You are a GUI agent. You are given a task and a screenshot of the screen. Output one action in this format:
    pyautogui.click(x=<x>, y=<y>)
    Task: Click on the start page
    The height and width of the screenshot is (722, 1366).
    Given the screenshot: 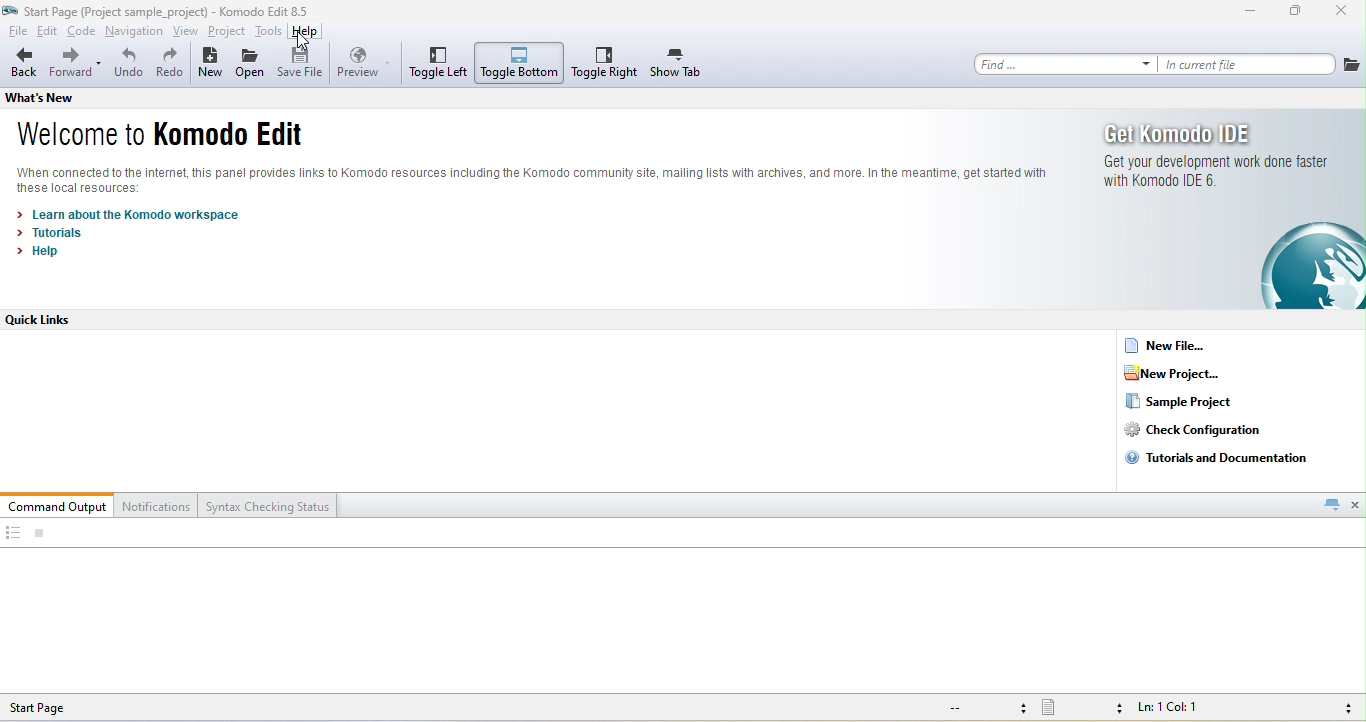 What is the action you would take?
    pyautogui.click(x=55, y=707)
    